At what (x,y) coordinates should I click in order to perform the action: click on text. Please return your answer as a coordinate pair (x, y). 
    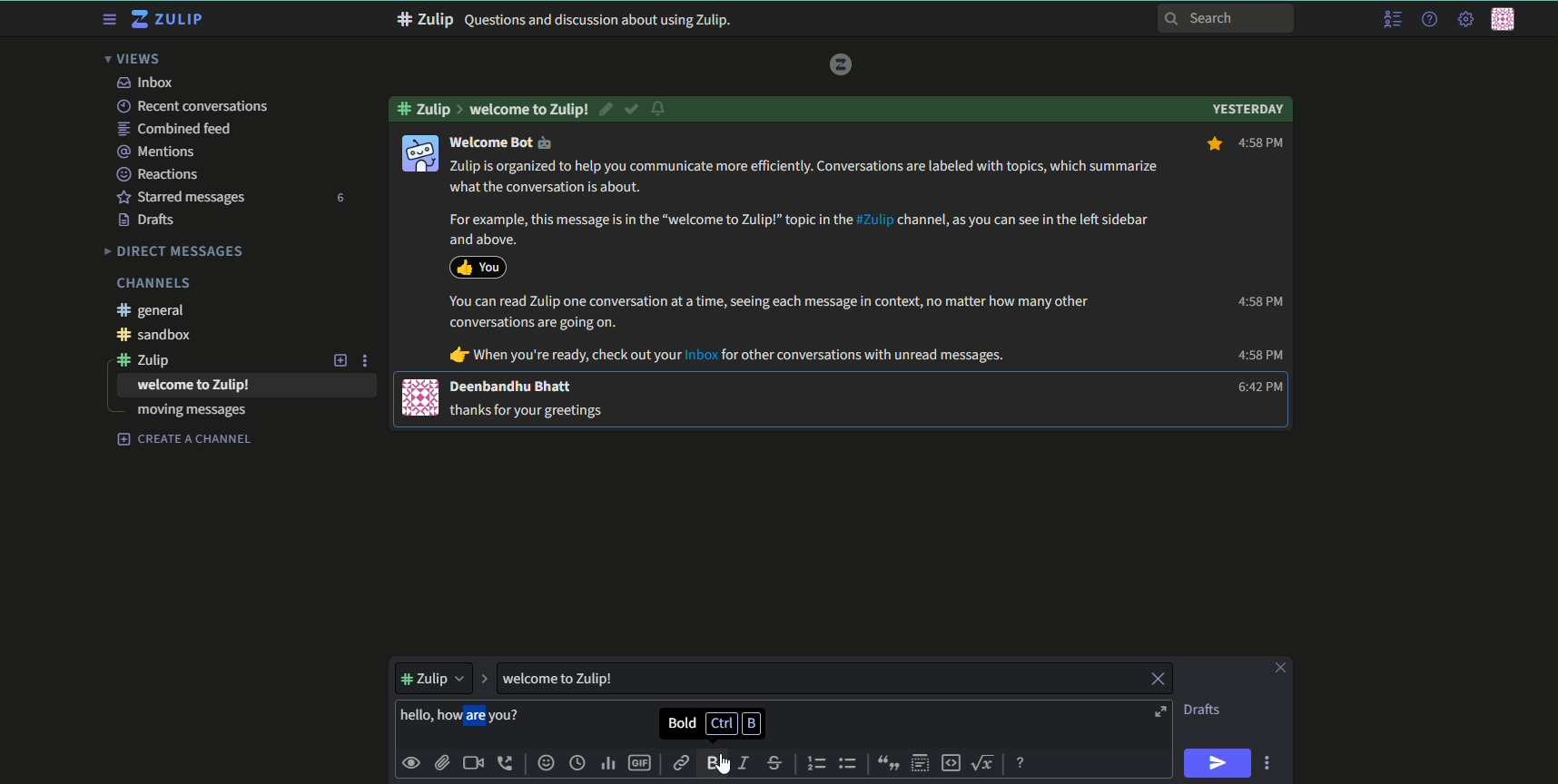
    Looking at the image, I should click on (1204, 710).